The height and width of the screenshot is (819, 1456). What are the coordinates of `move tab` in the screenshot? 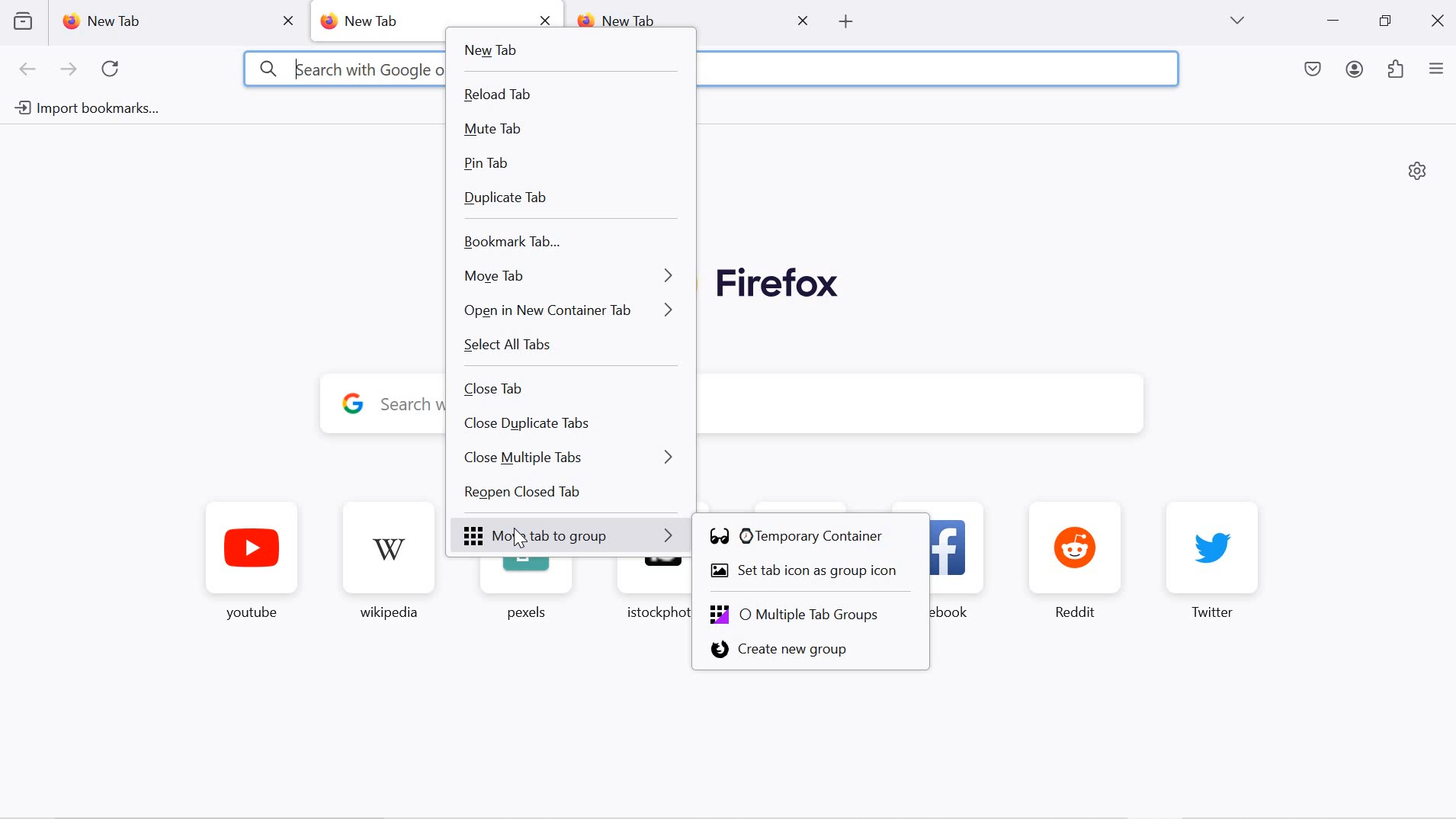 It's located at (574, 274).